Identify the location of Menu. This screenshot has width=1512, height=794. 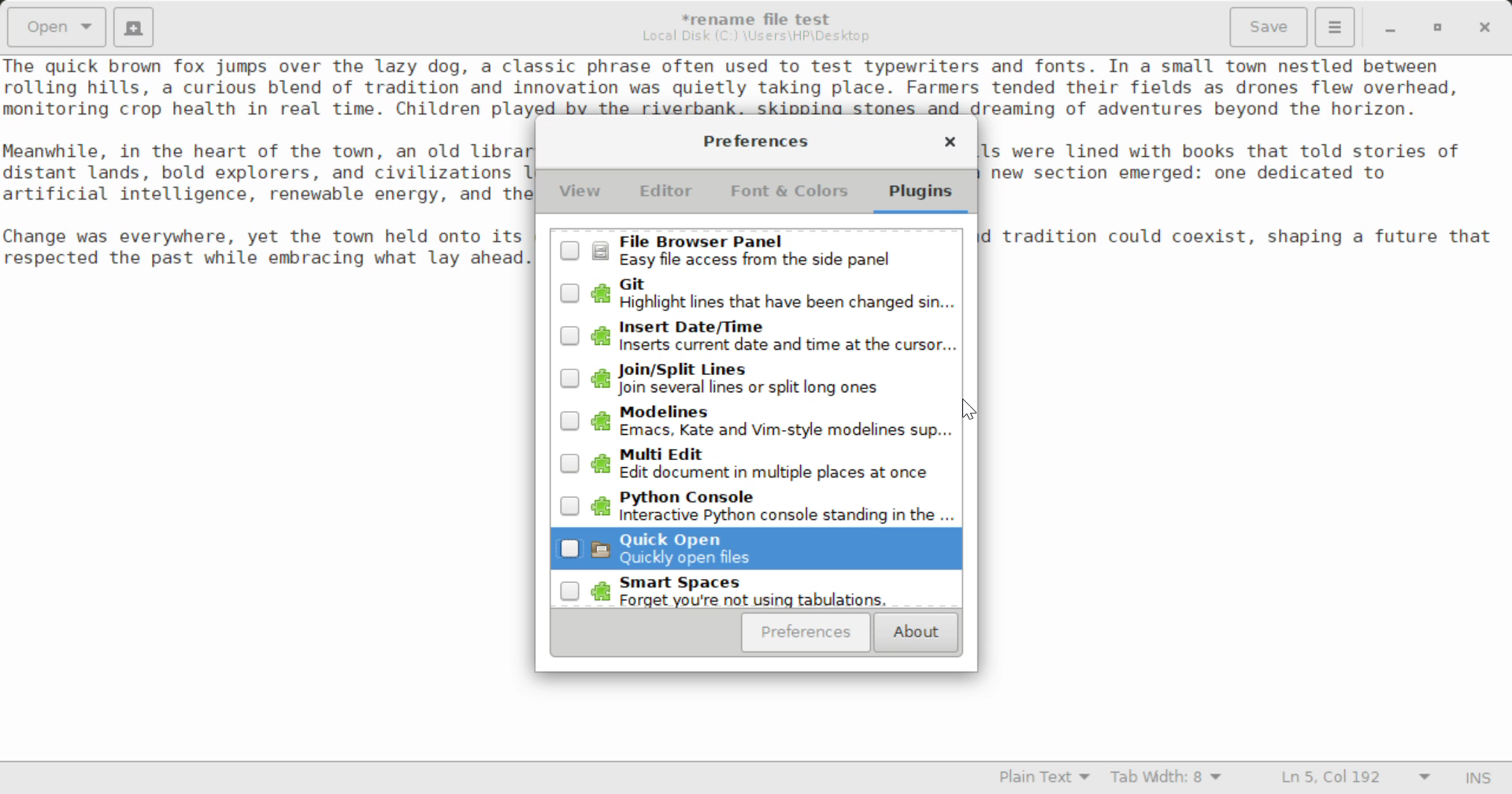
(1334, 25).